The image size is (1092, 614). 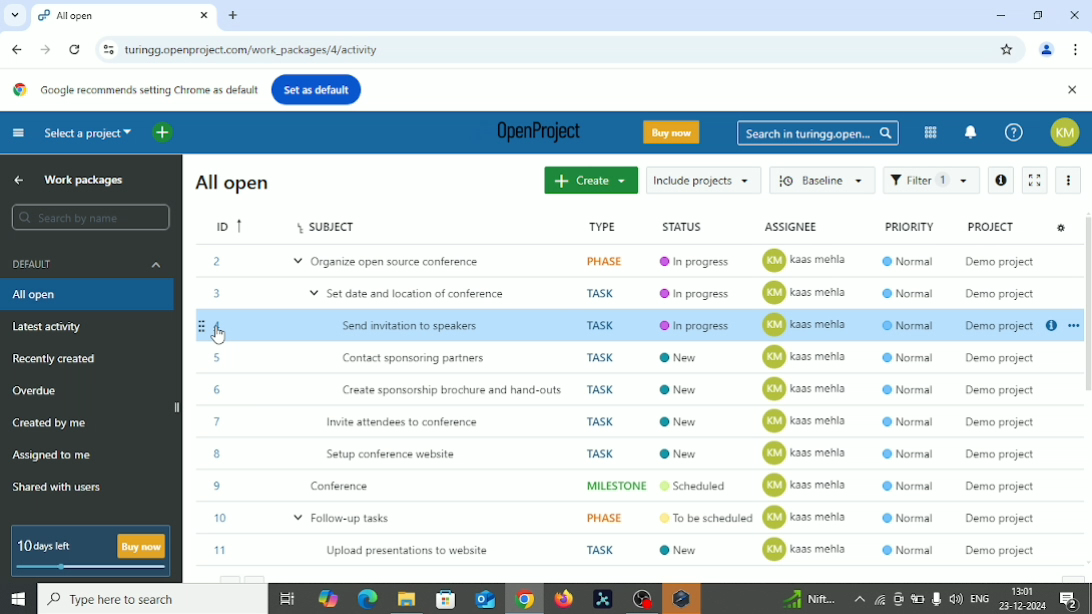 What do you see at coordinates (1078, 49) in the screenshot?
I see `Customize and control google chrome` at bounding box center [1078, 49].